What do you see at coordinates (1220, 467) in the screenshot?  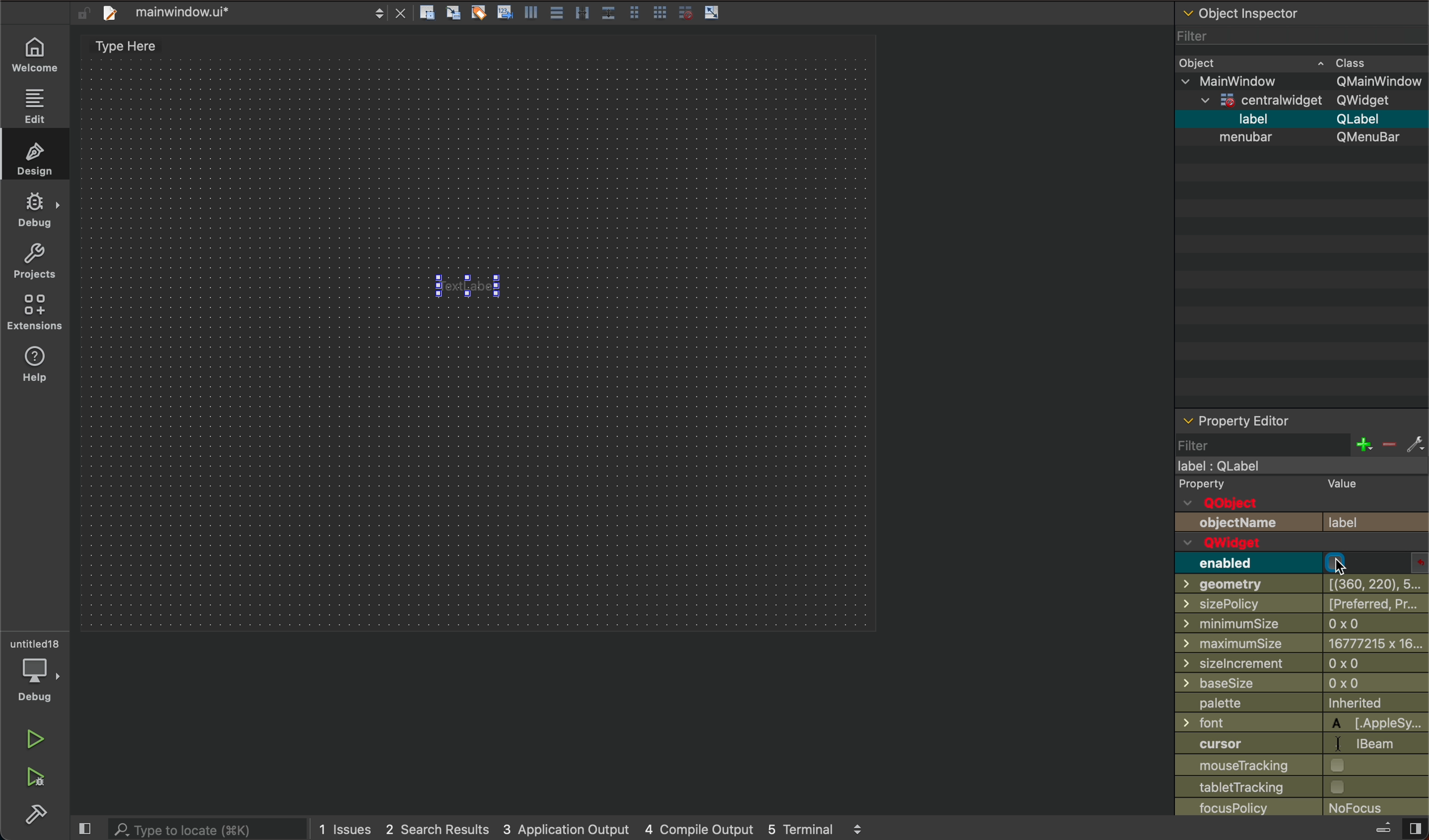 I see `label : Qlabel` at bounding box center [1220, 467].